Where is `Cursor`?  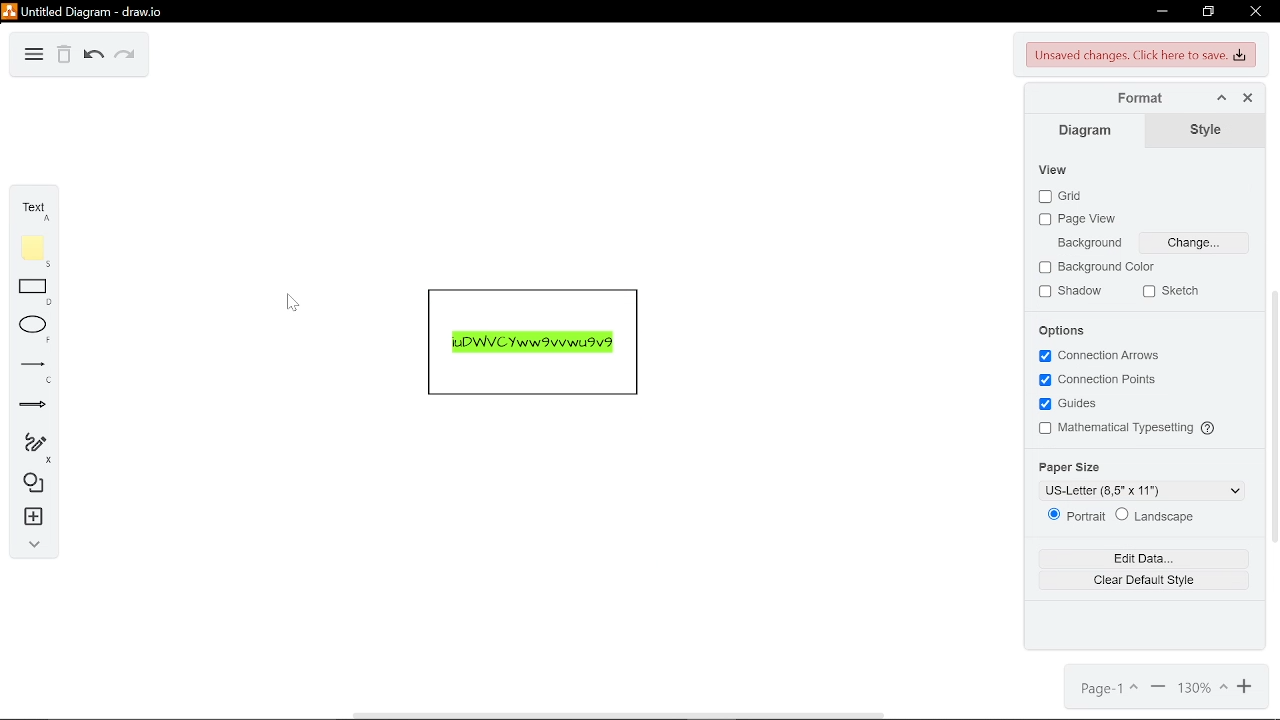 Cursor is located at coordinates (290, 301).